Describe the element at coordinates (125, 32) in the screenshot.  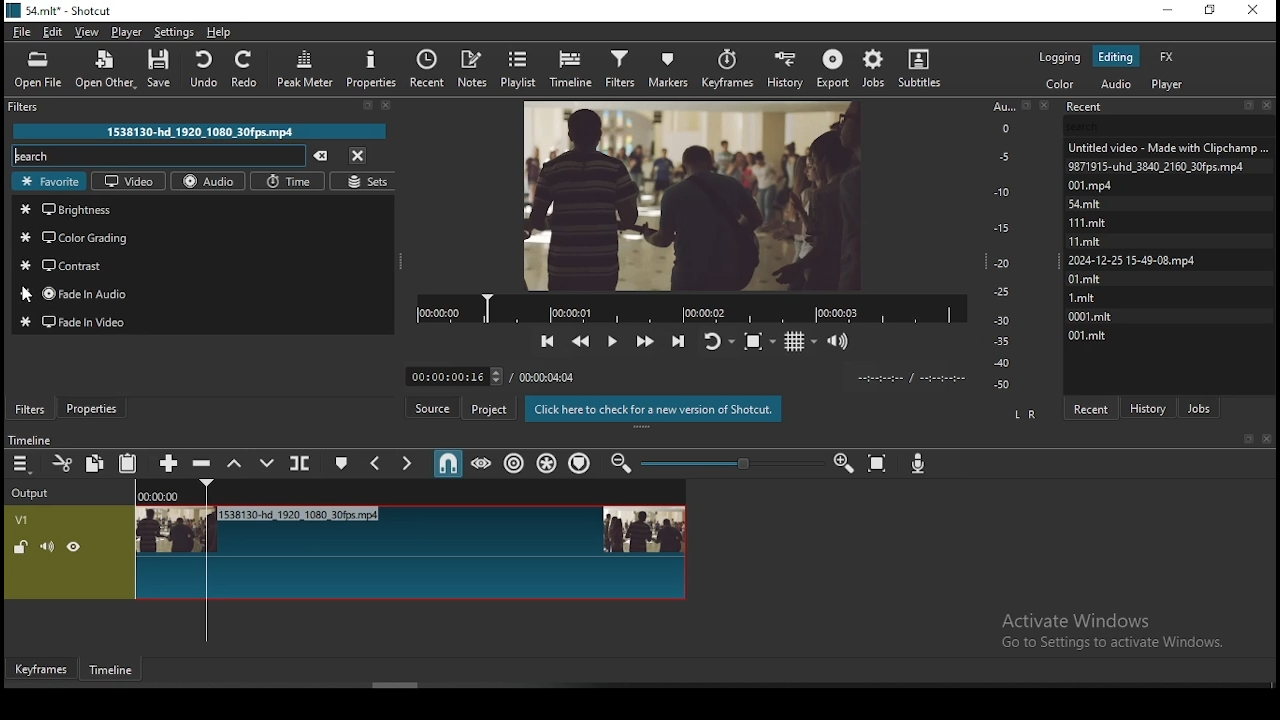
I see `player` at that location.